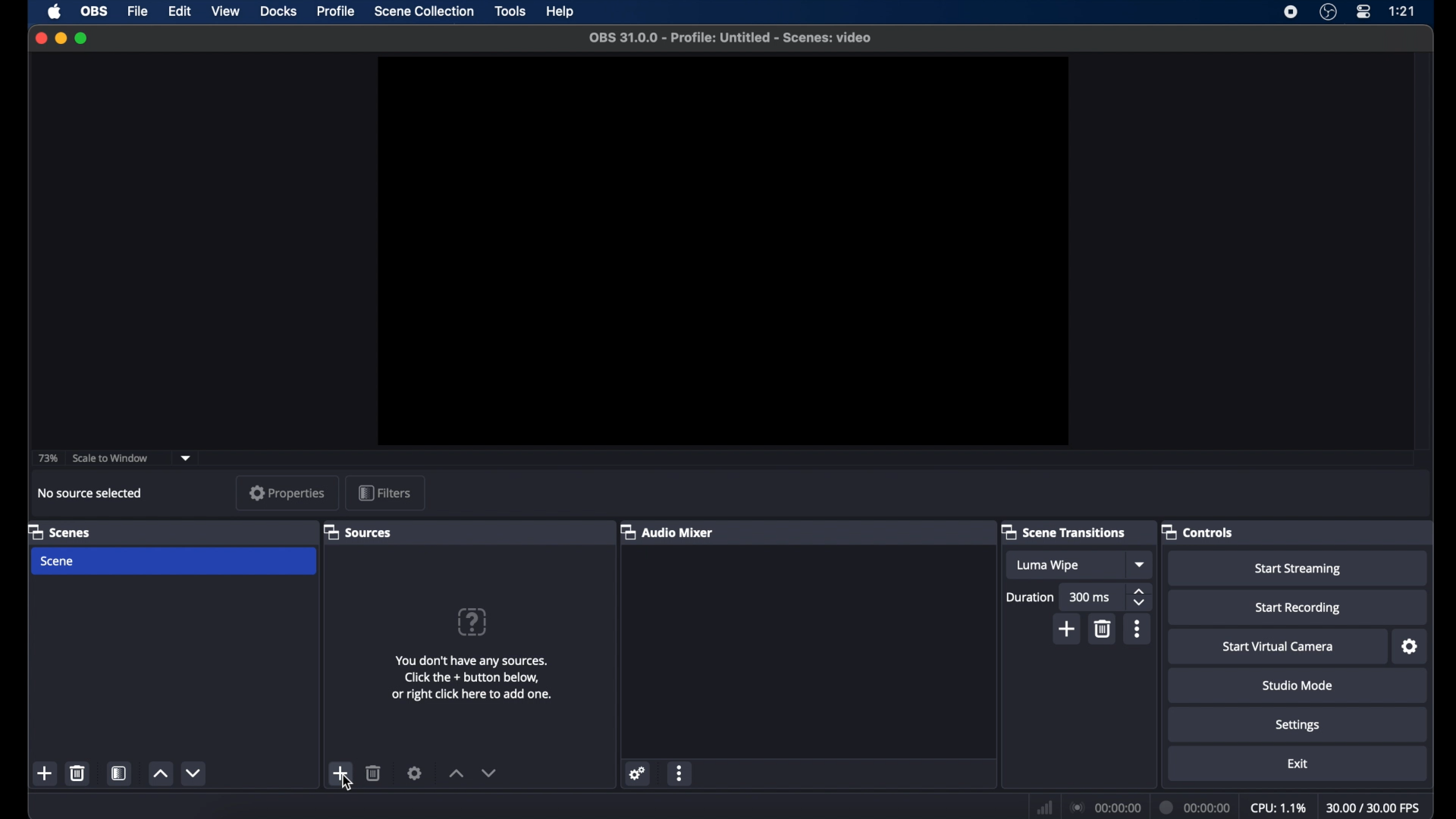 The height and width of the screenshot is (819, 1456). Describe the element at coordinates (637, 773) in the screenshot. I see `settings` at that location.